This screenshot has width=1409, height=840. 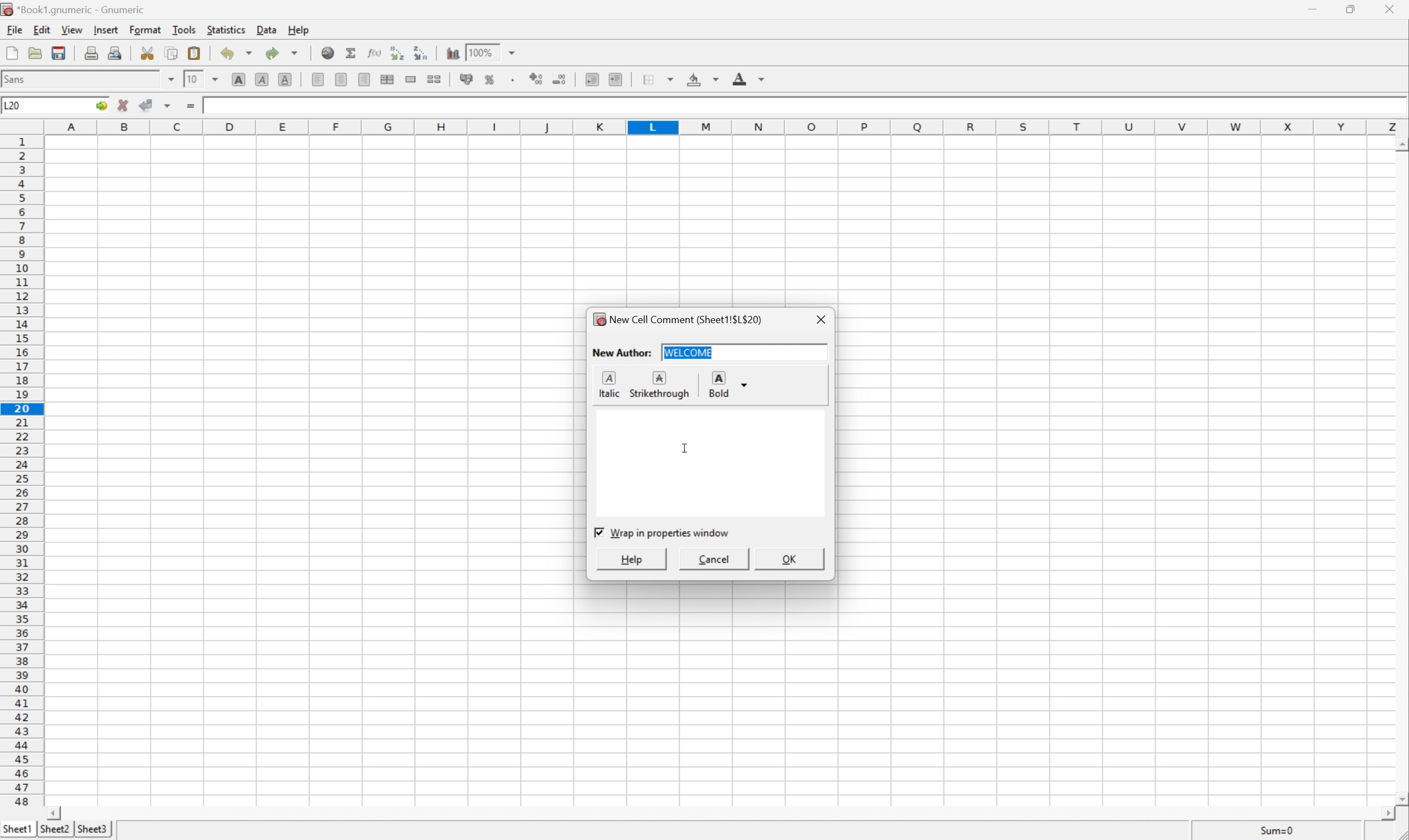 I want to click on Undo, so click(x=234, y=53).